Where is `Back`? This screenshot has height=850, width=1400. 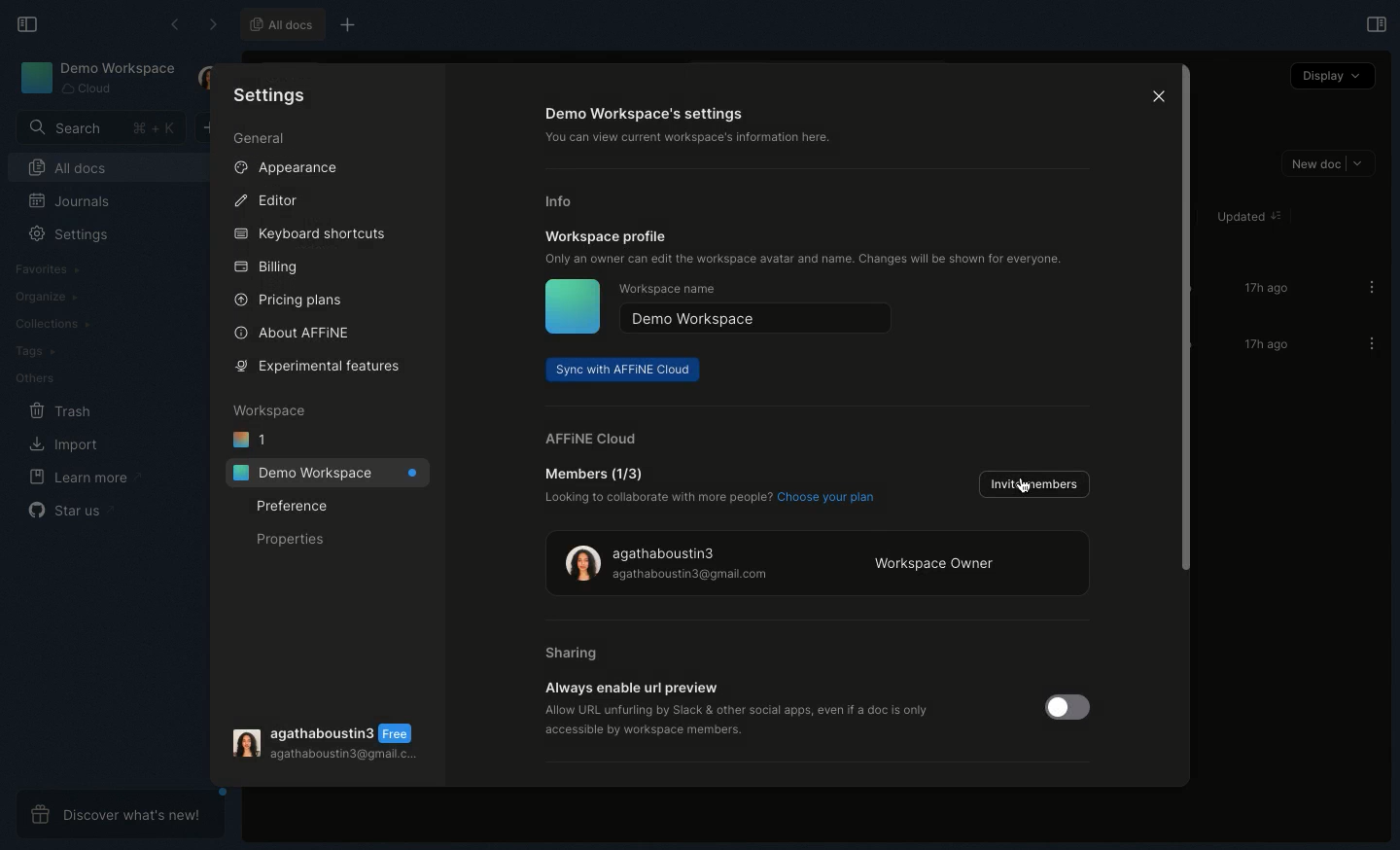
Back is located at coordinates (174, 24).